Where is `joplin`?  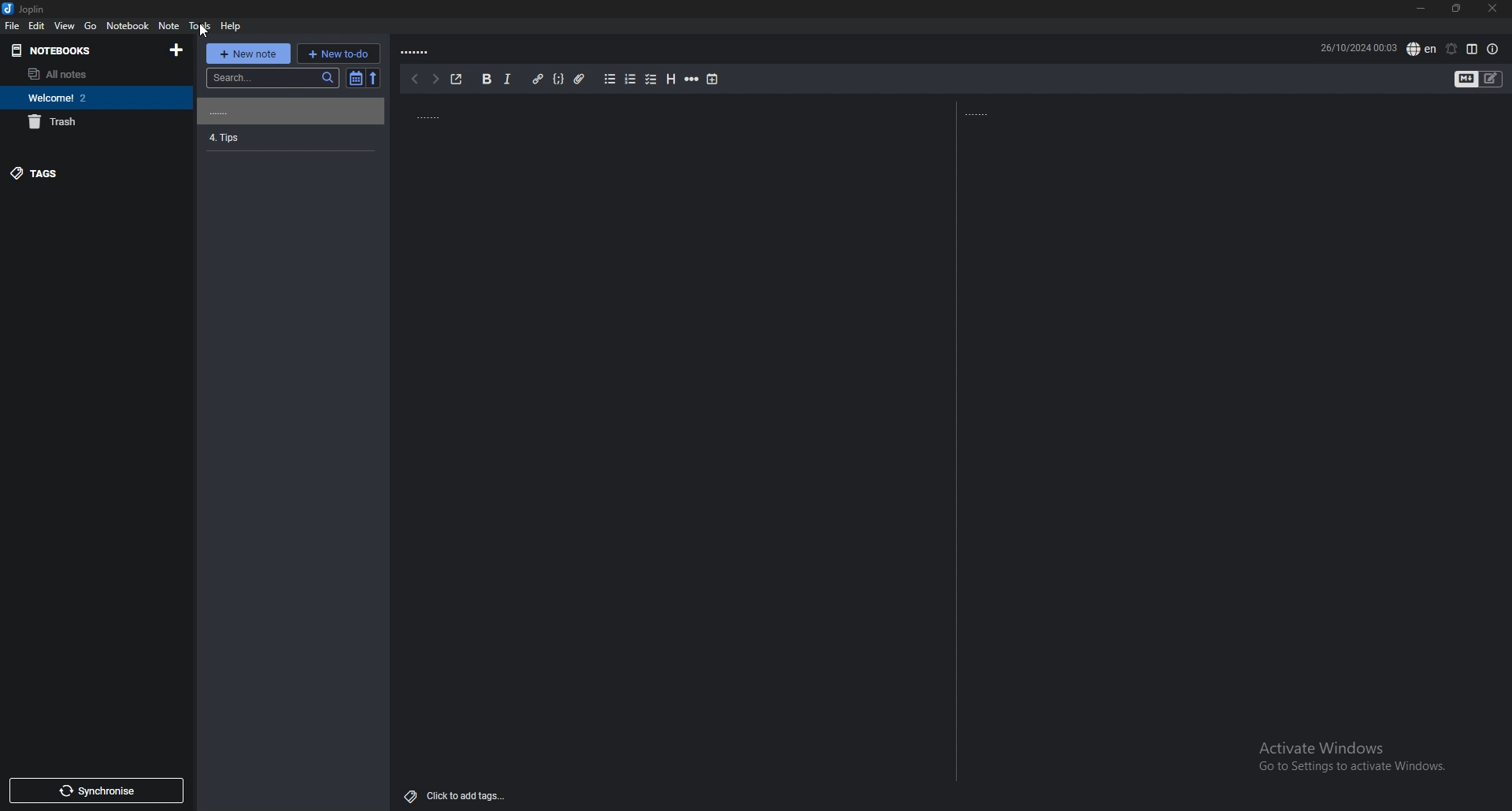
joplin is located at coordinates (25, 9).